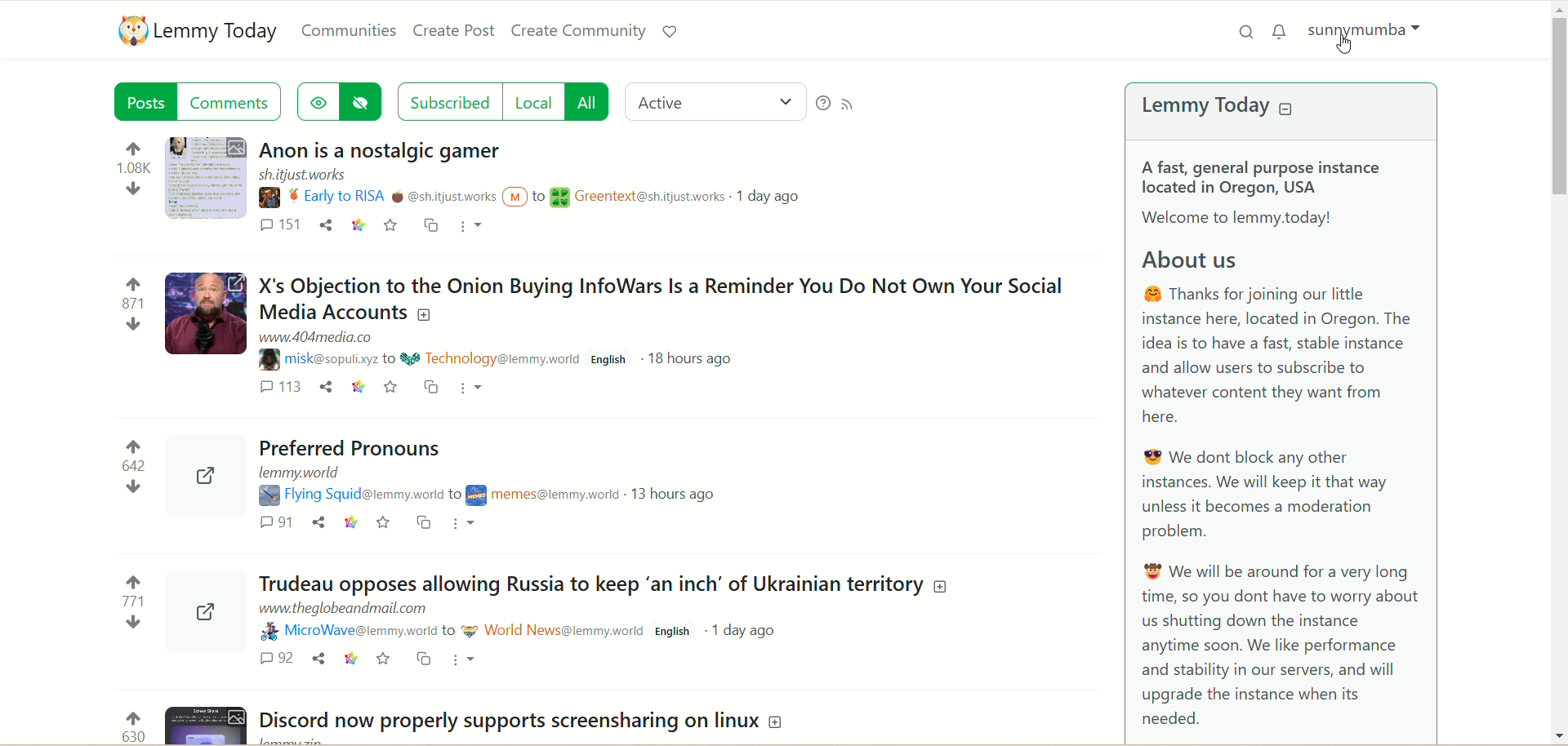 The height and width of the screenshot is (746, 1568). Describe the element at coordinates (277, 522) in the screenshot. I see `Comments` at that location.